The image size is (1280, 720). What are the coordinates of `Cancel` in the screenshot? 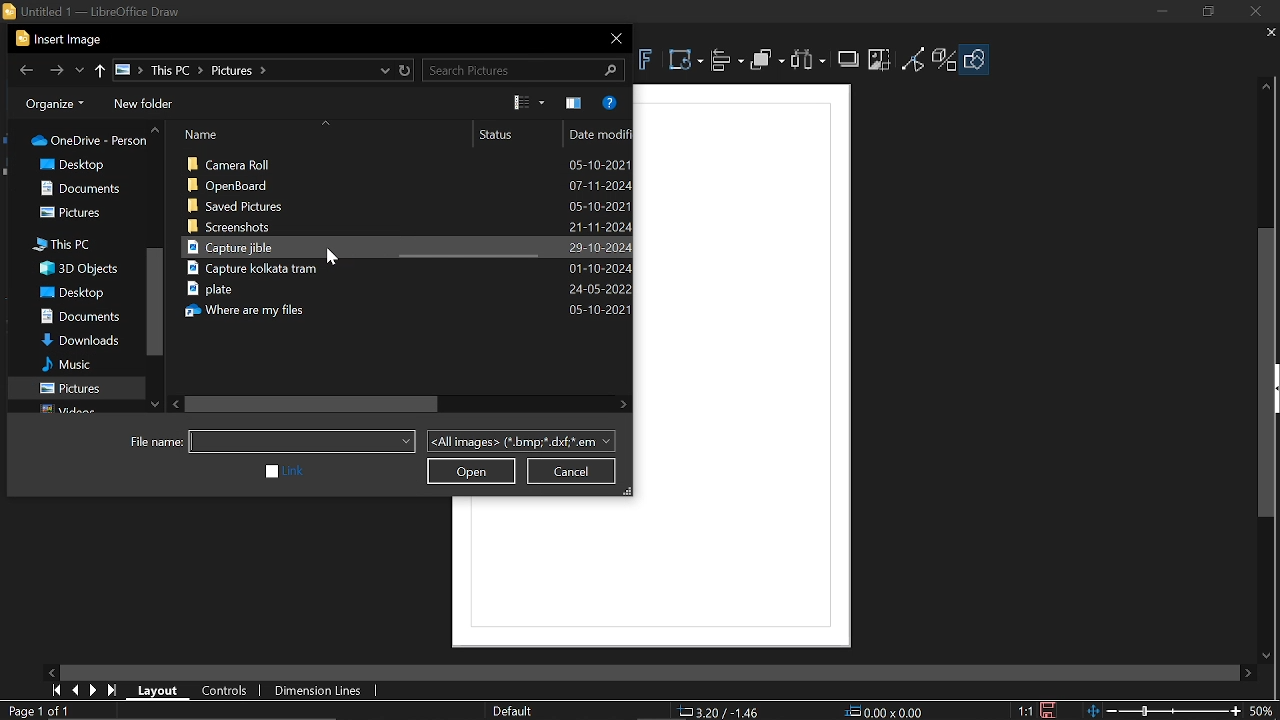 It's located at (570, 470).